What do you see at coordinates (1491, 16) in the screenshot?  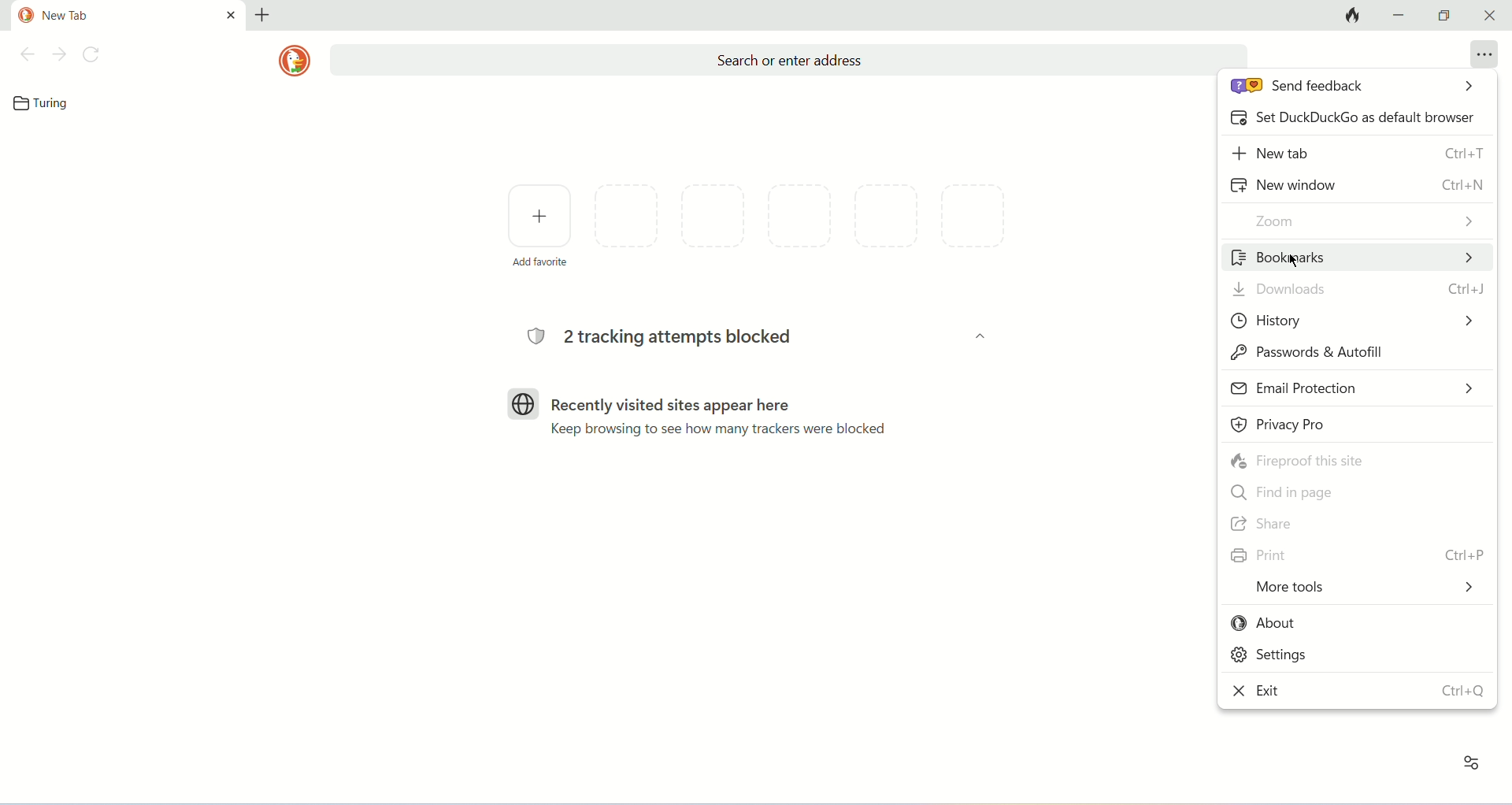 I see `close` at bounding box center [1491, 16].